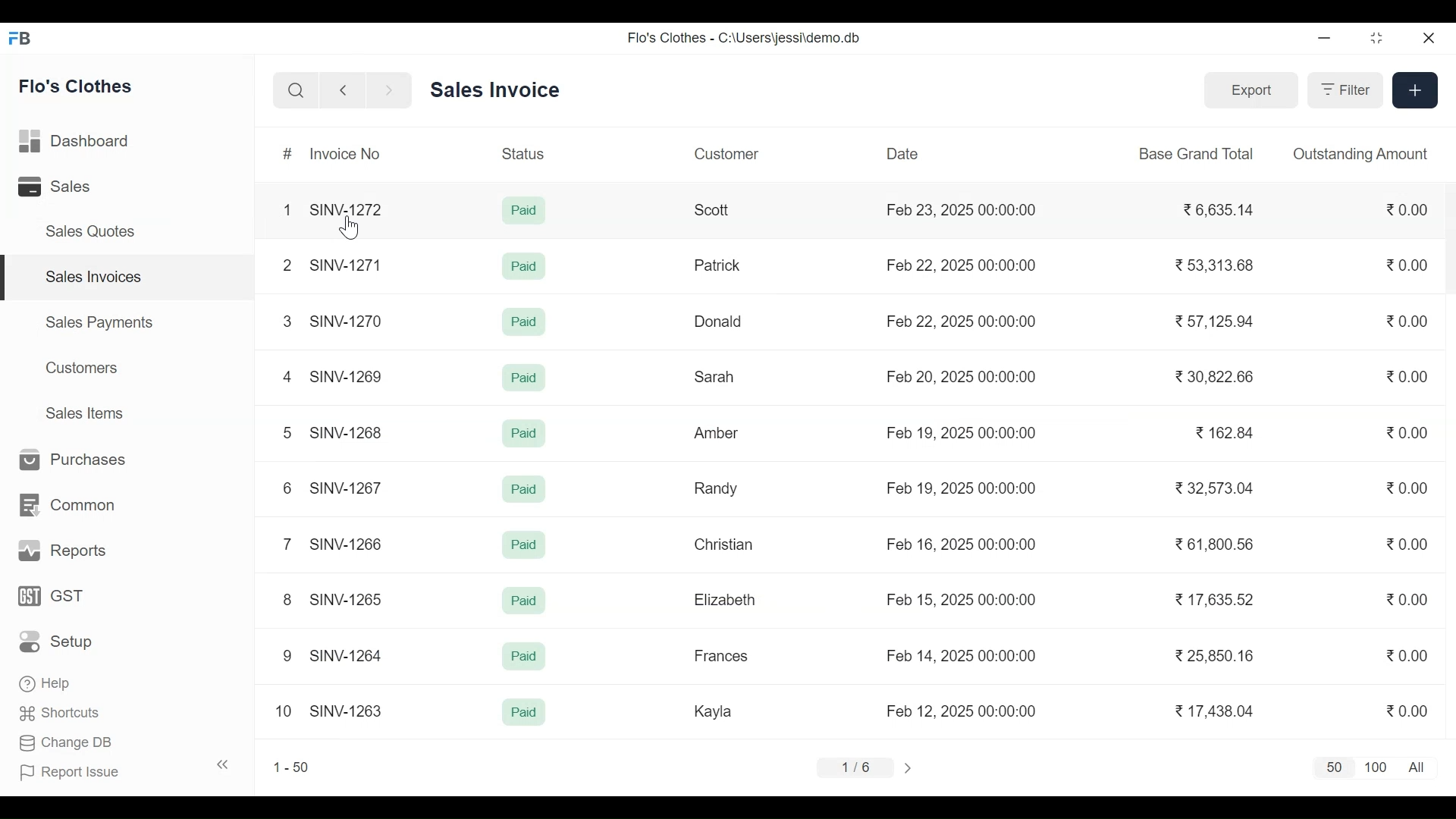 This screenshot has width=1456, height=819. Describe the element at coordinates (1215, 375) in the screenshot. I see `30.822.66` at that location.